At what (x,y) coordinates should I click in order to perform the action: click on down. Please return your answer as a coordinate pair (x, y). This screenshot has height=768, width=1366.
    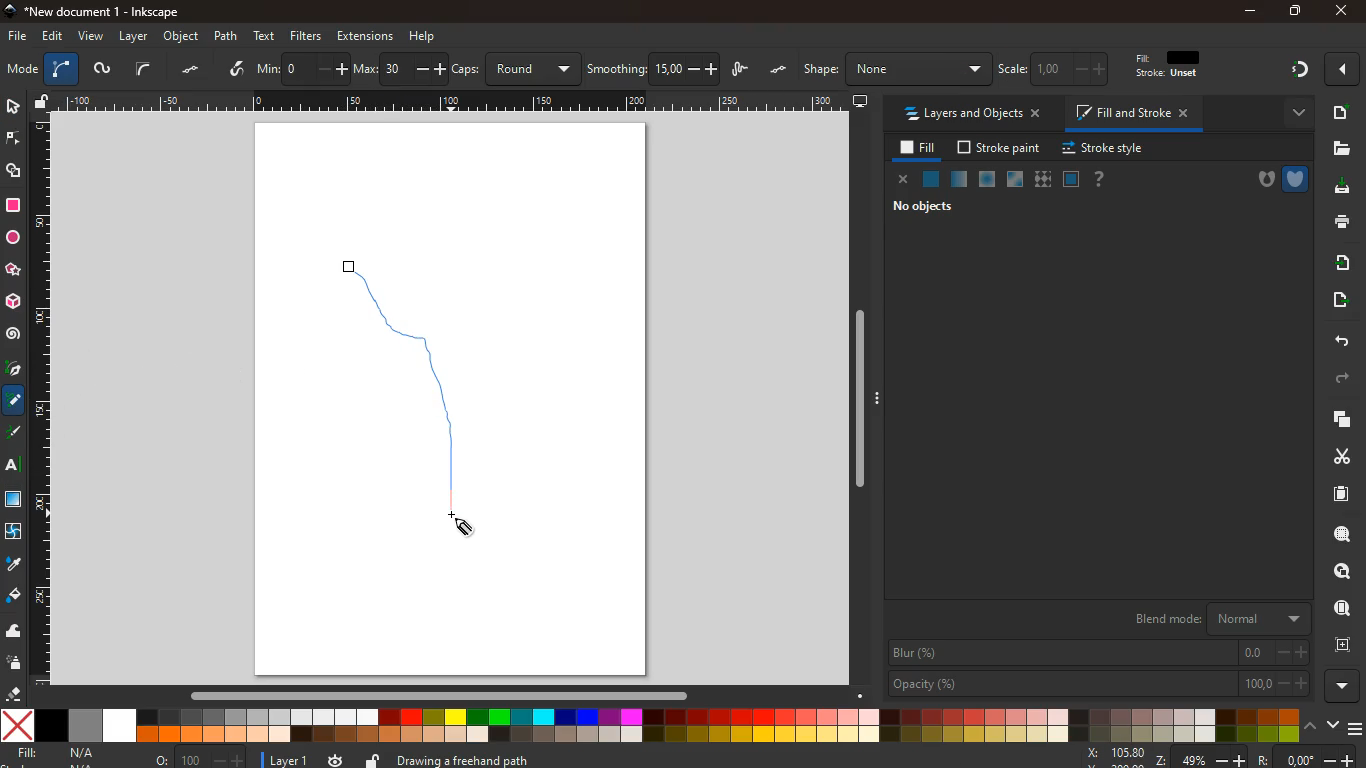
    Looking at the image, I should click on (1331, 725).